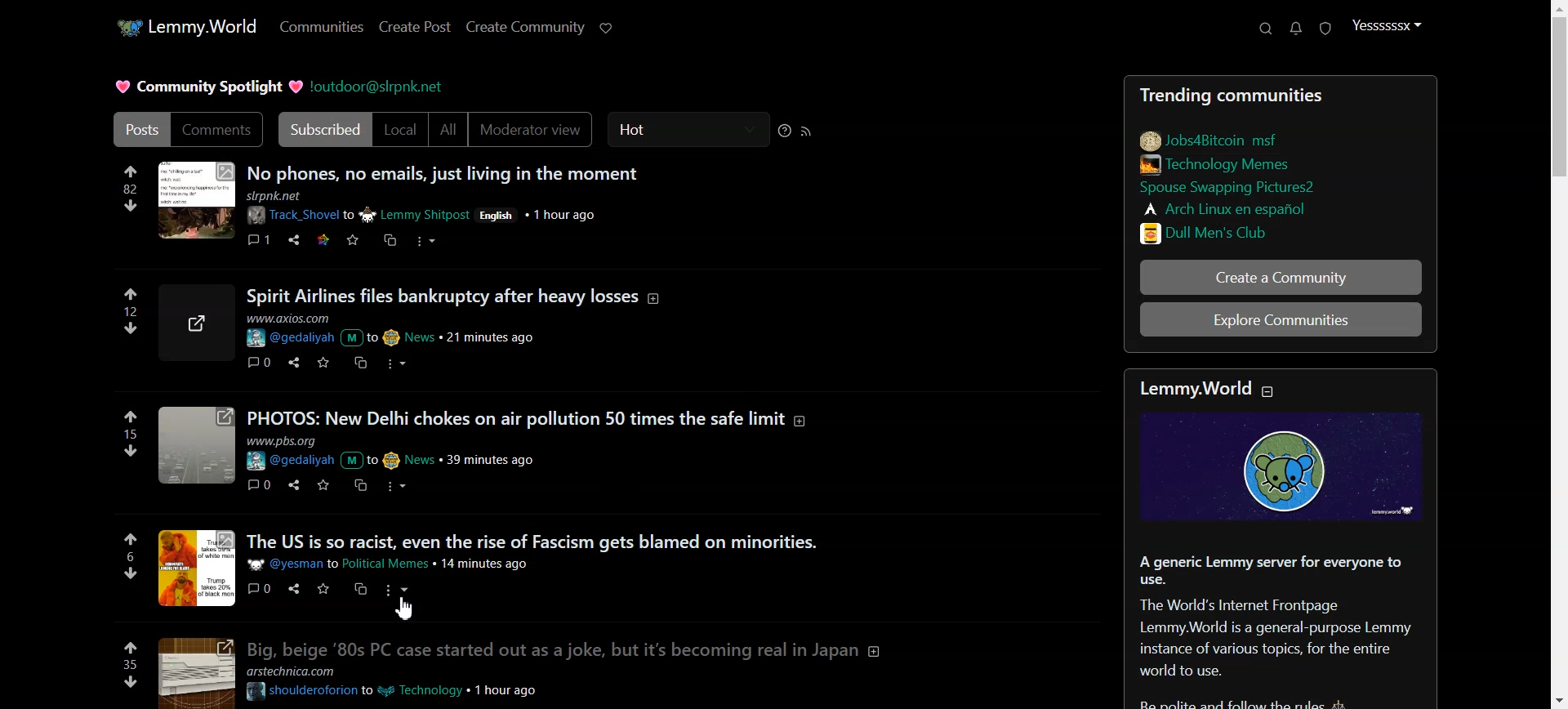 The width and height of the screenshot is (1568, 709). What do you see at coordinates (406, 682) in the screenshot?
I see `post details` at bounding box center [406, 682].